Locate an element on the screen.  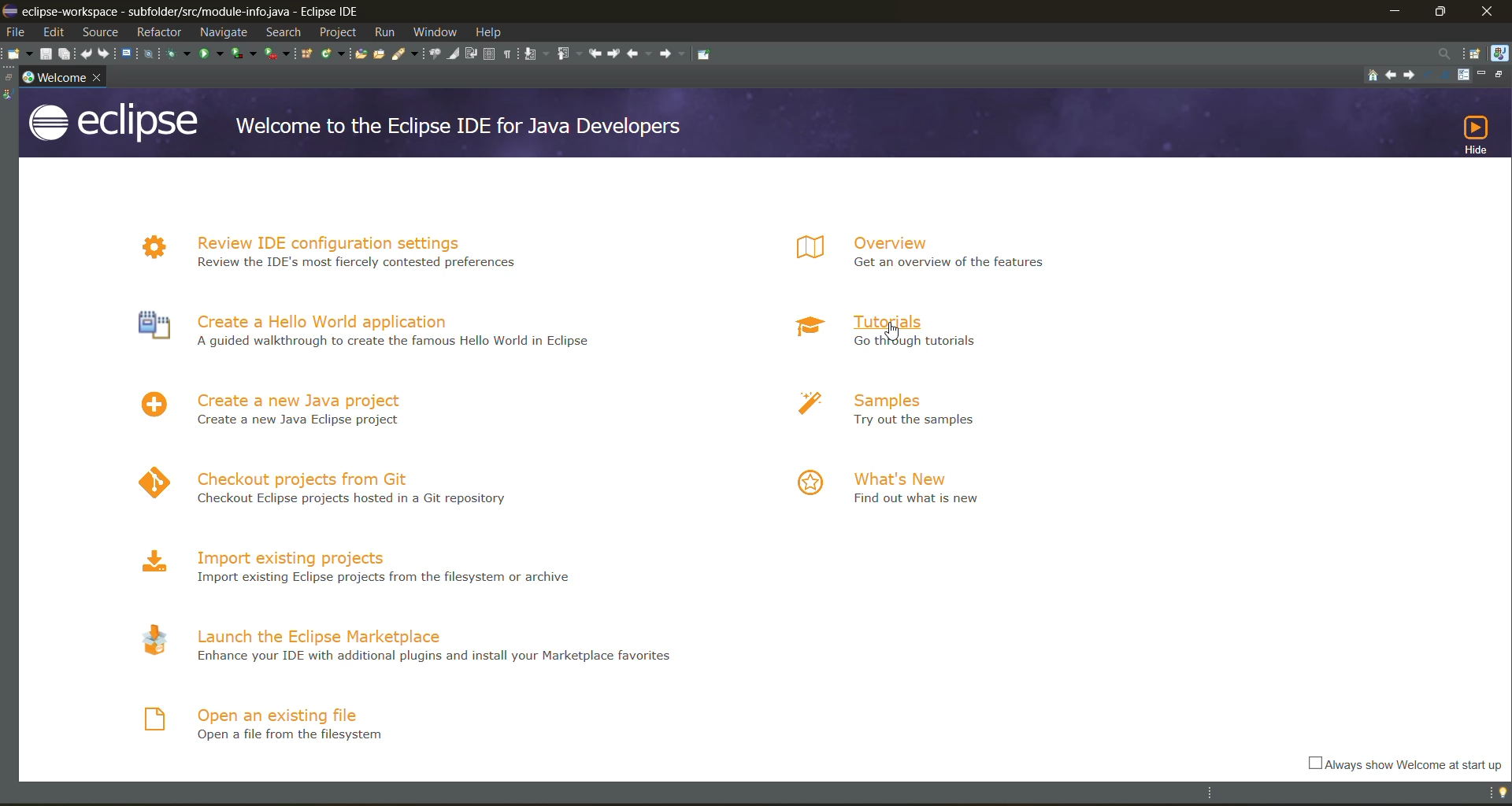
new java package is located at coordinates (307, 54).